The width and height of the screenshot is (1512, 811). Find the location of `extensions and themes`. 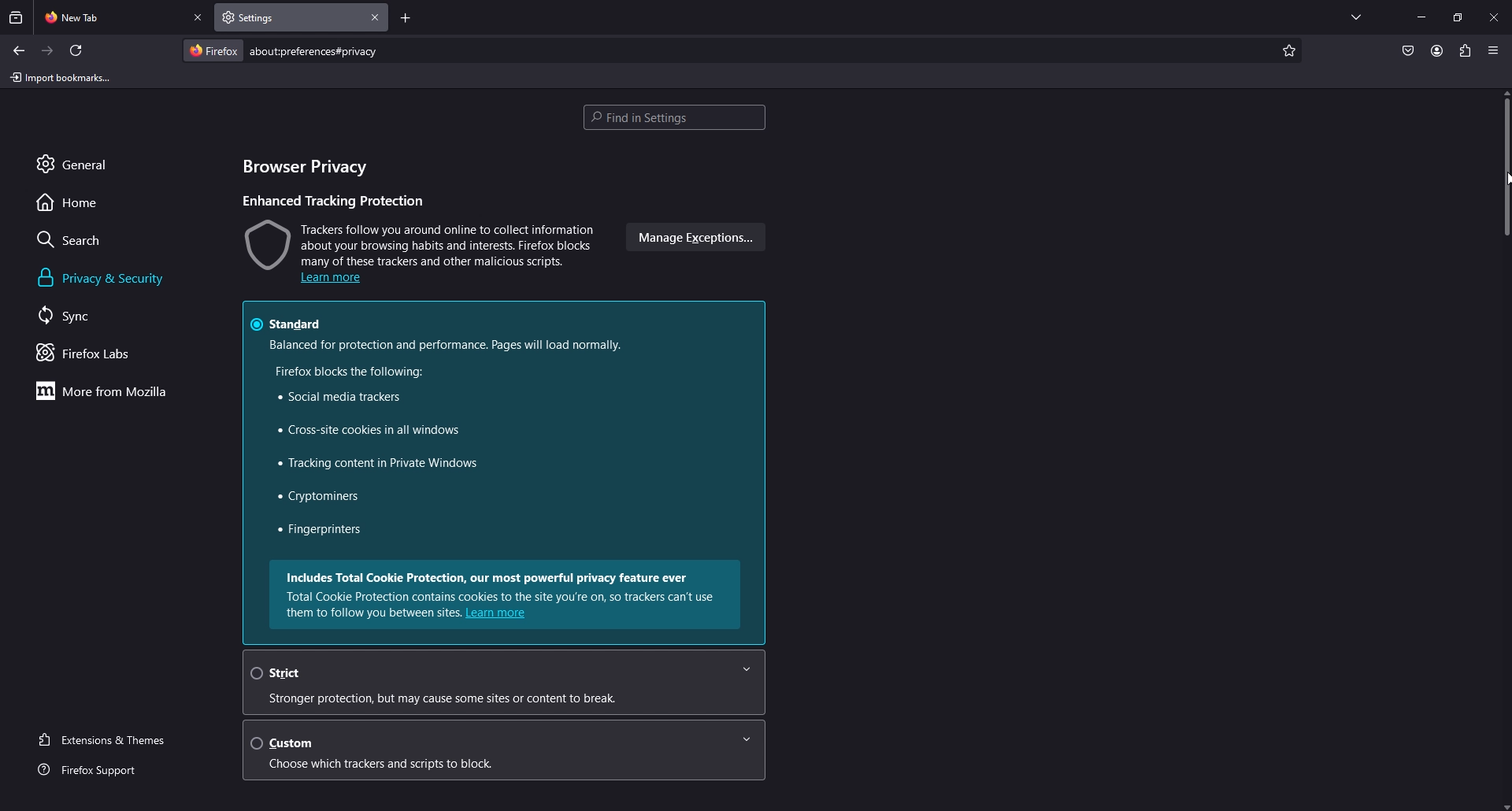

extensions and themes is located at coordinates (112, 738).